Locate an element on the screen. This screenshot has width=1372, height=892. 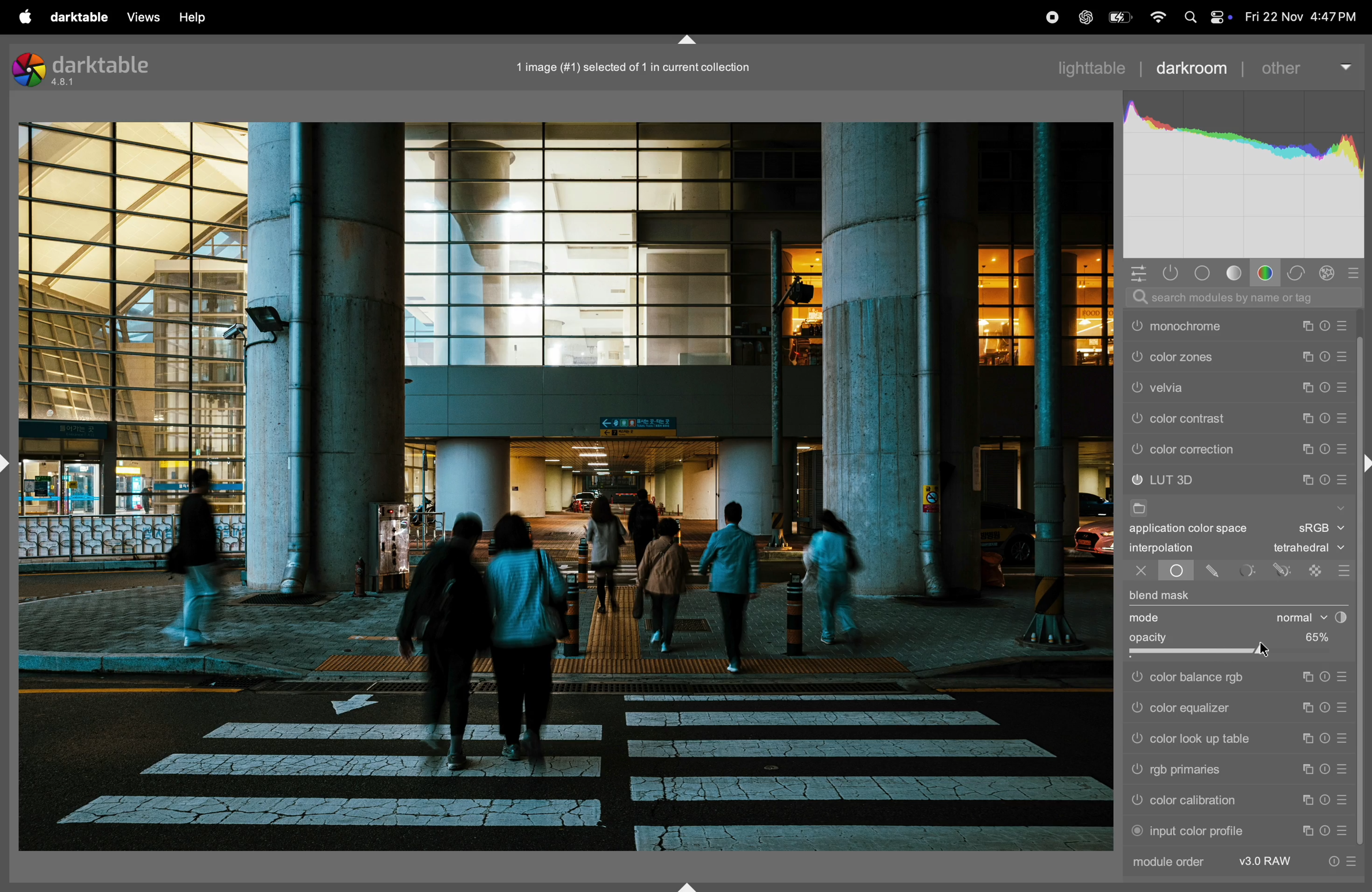
color is located at coordinates (1267, 273).